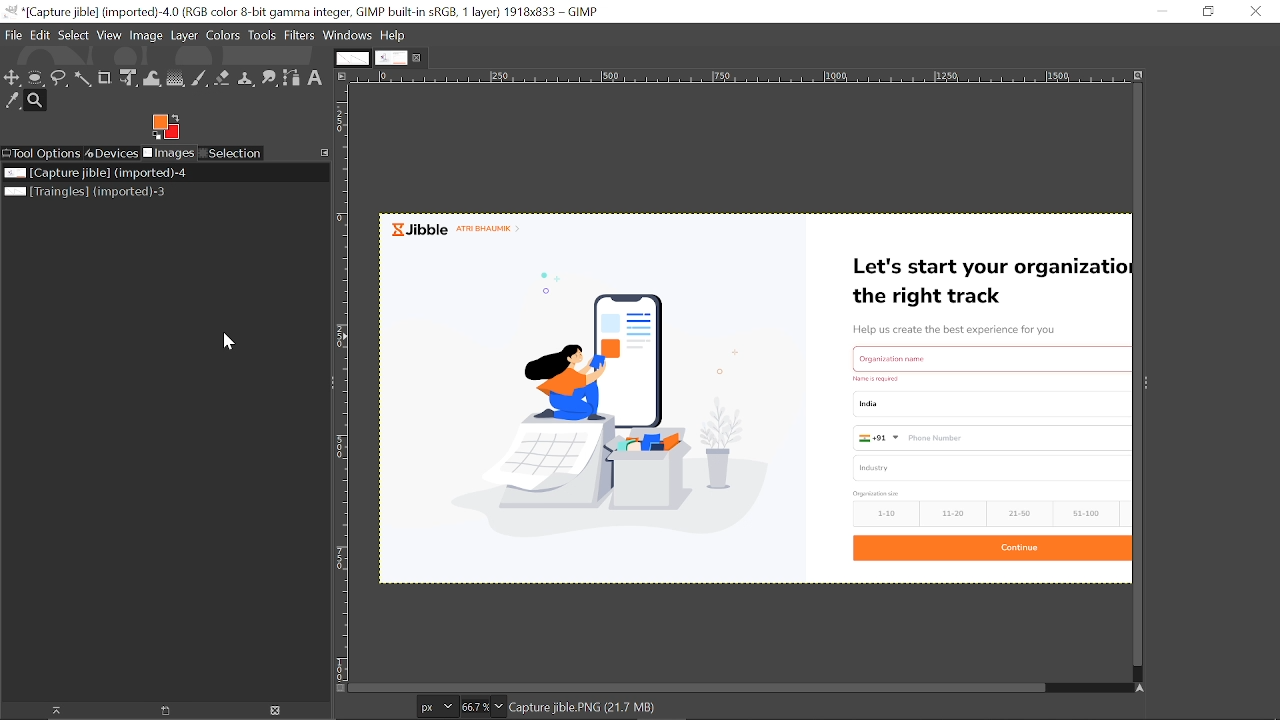 The image size is (1280, 720). What do you see at coordinates (1139, 75) in the screenshot?
I see `Zoom image when window size changes` at bounding box center [1139, 75].